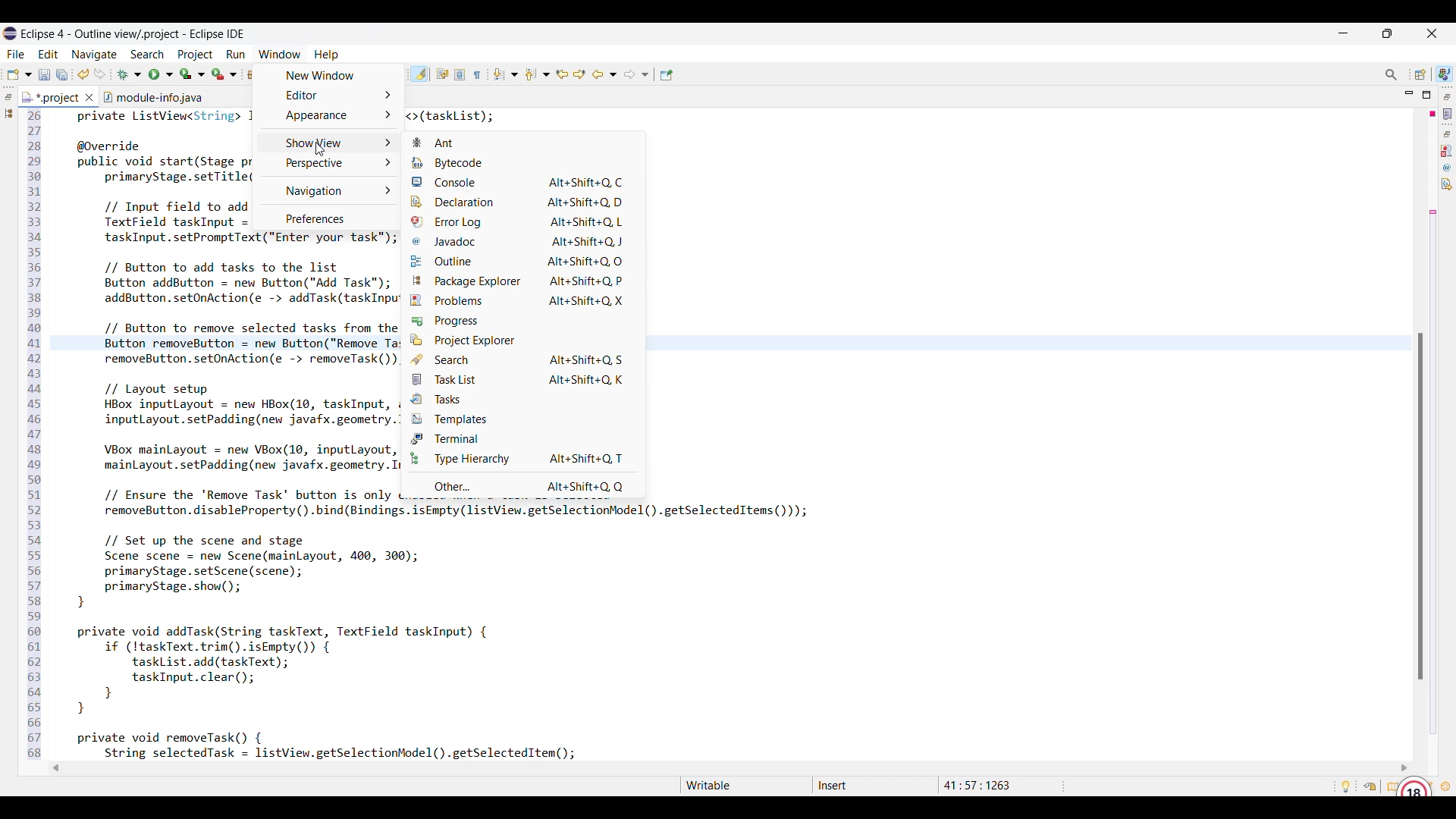 Image resolution: width=1456 pixels, height=819 pixels. What do you see at coordinates (224, 74) in the screenshot?
I see `Run last tool options` at bounding box center [224, 74].